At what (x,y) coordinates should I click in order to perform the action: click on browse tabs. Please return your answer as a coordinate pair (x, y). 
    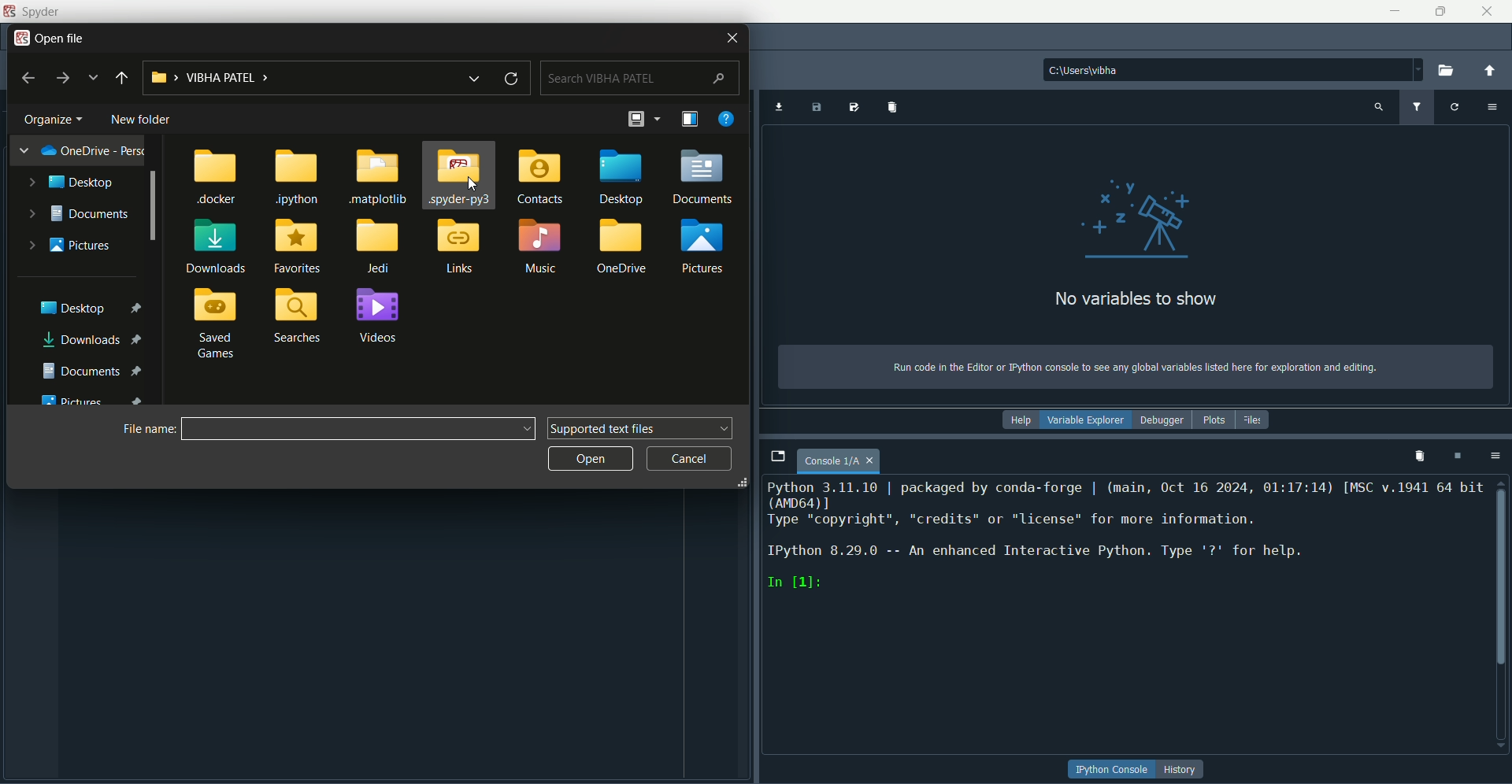
    Looking at the image, I should click on (778, 456).